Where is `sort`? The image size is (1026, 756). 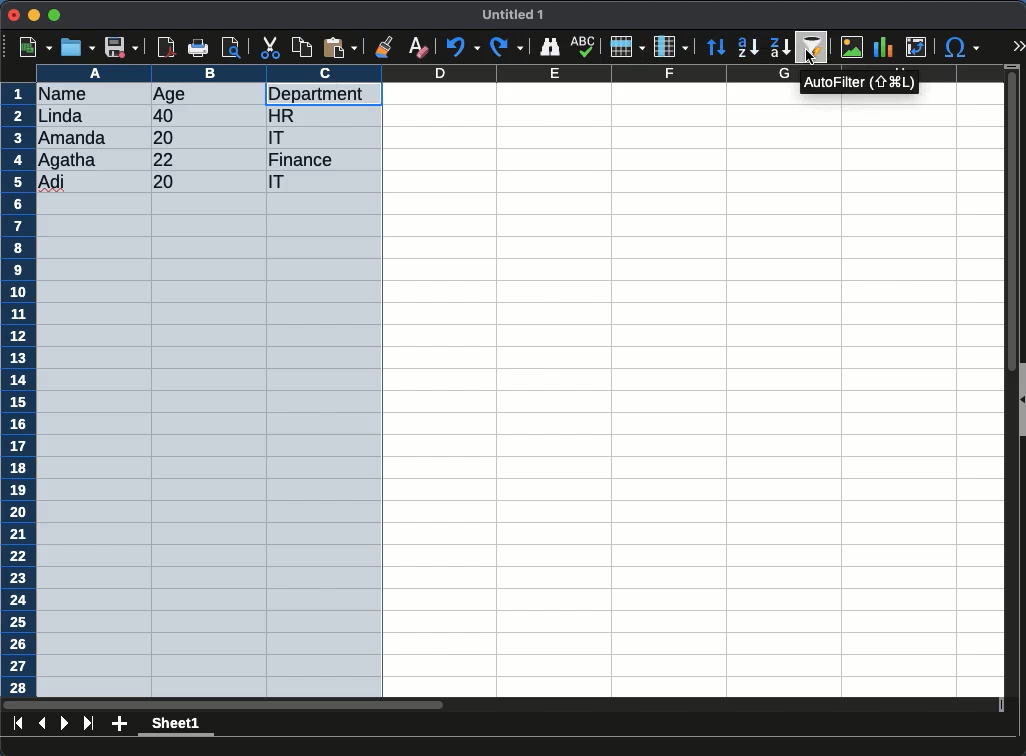
sort is located at coordinates (718, 47).